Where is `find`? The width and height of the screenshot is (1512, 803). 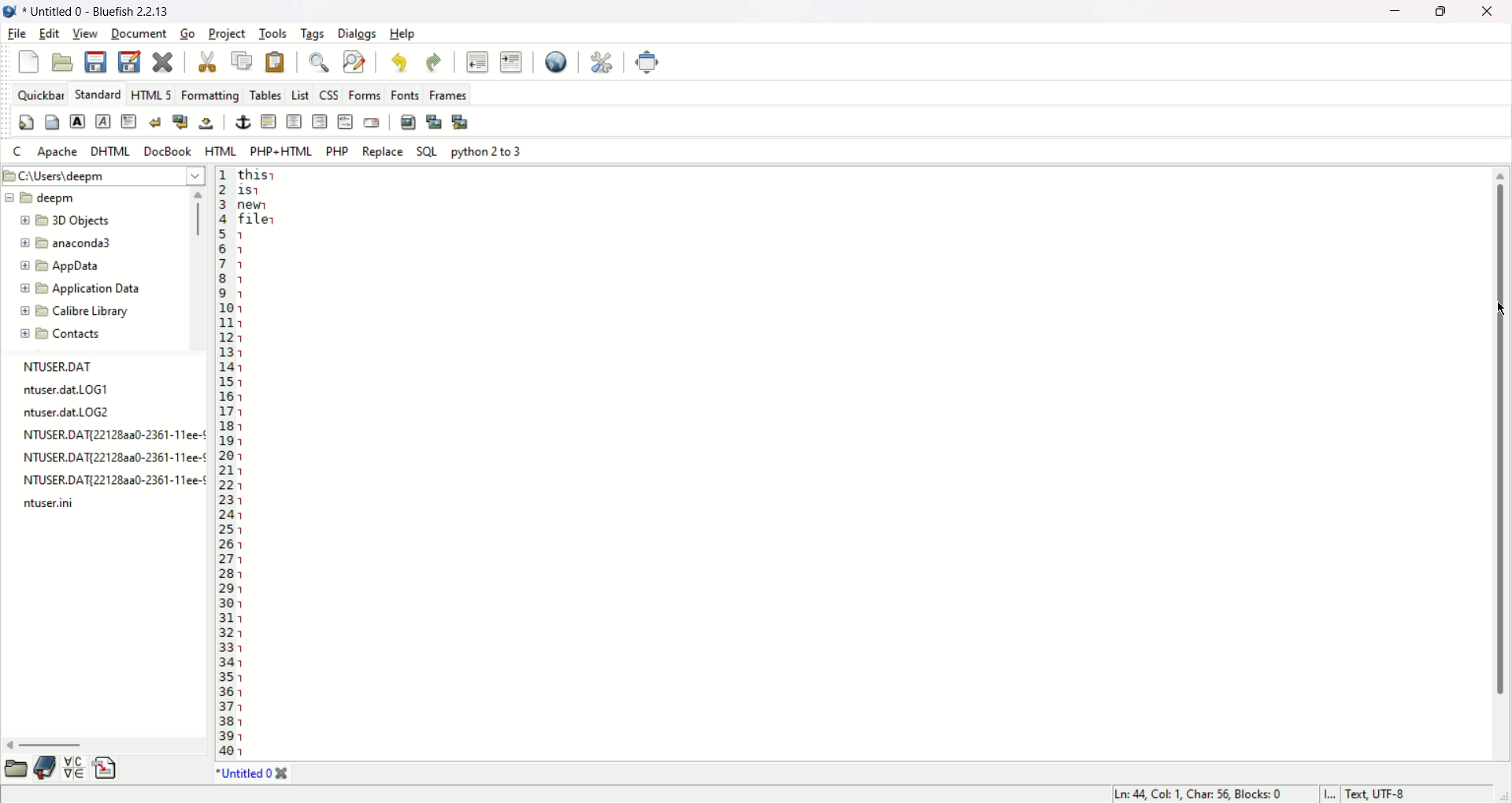
find is located at coordinates (316, 64).